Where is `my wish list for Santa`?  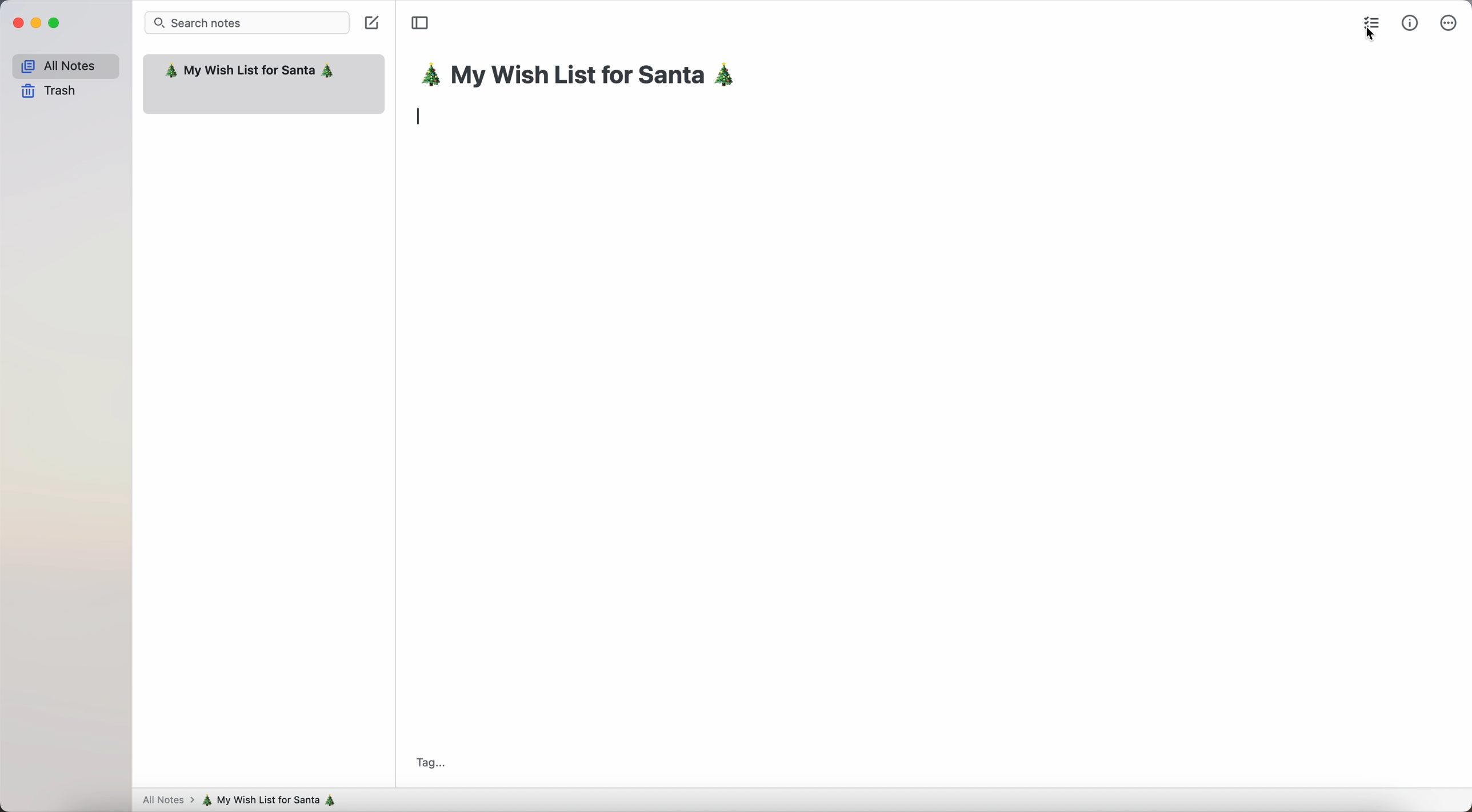
my wish list for Santa is located at coordinates (585, 77).